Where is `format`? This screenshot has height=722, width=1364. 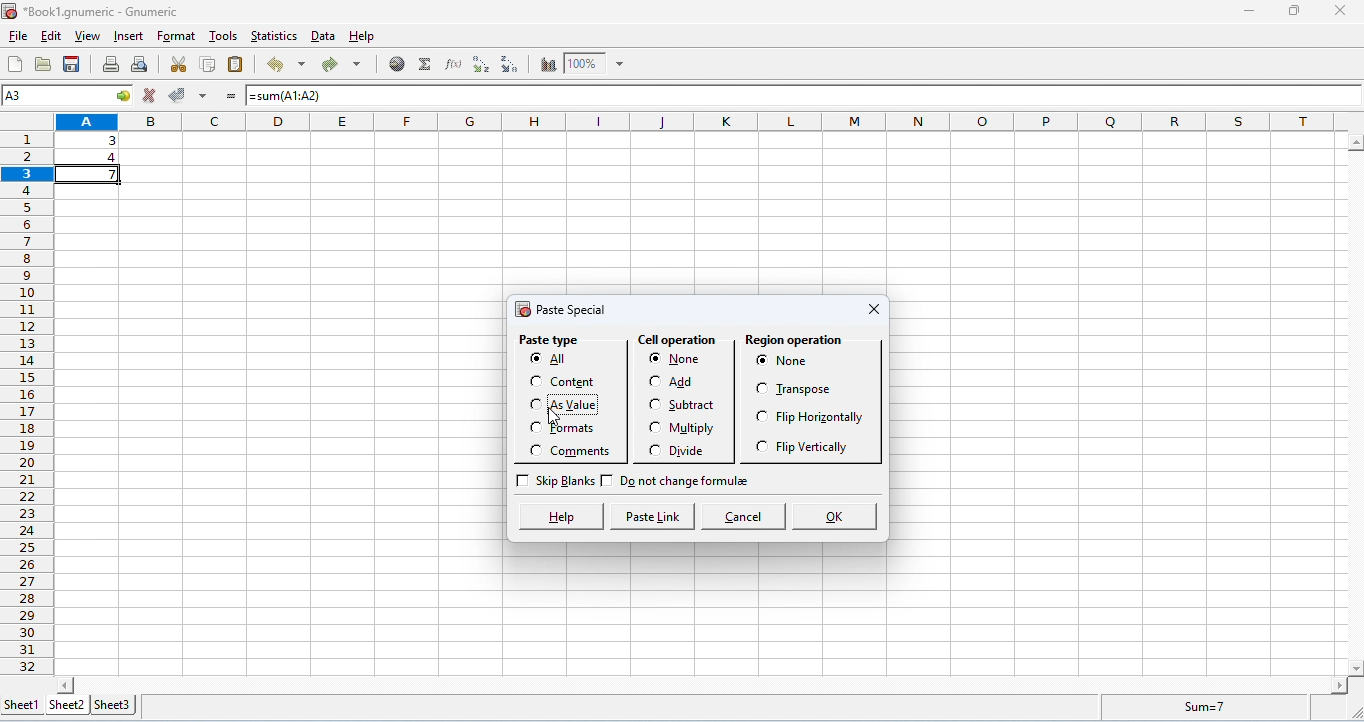
format is located at coordinates (177, 37).